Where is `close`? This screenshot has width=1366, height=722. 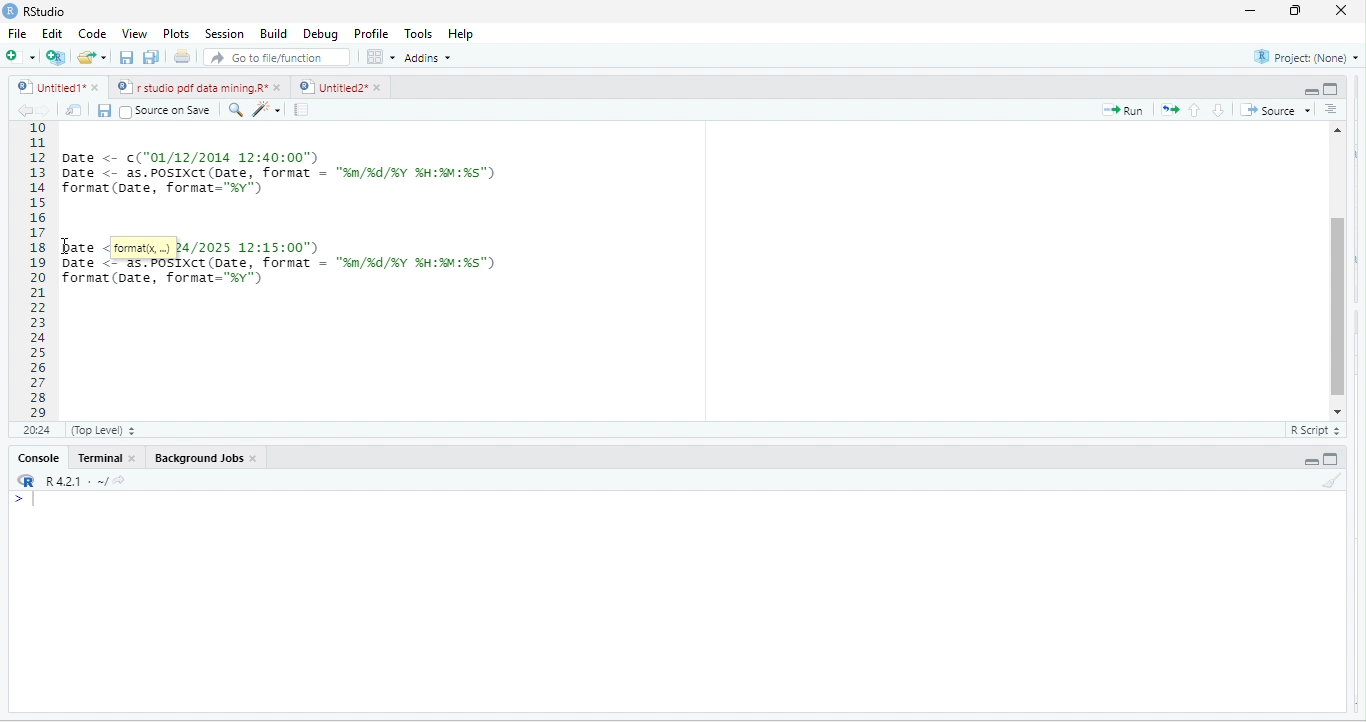 close is located at coordinates (1336, 10).